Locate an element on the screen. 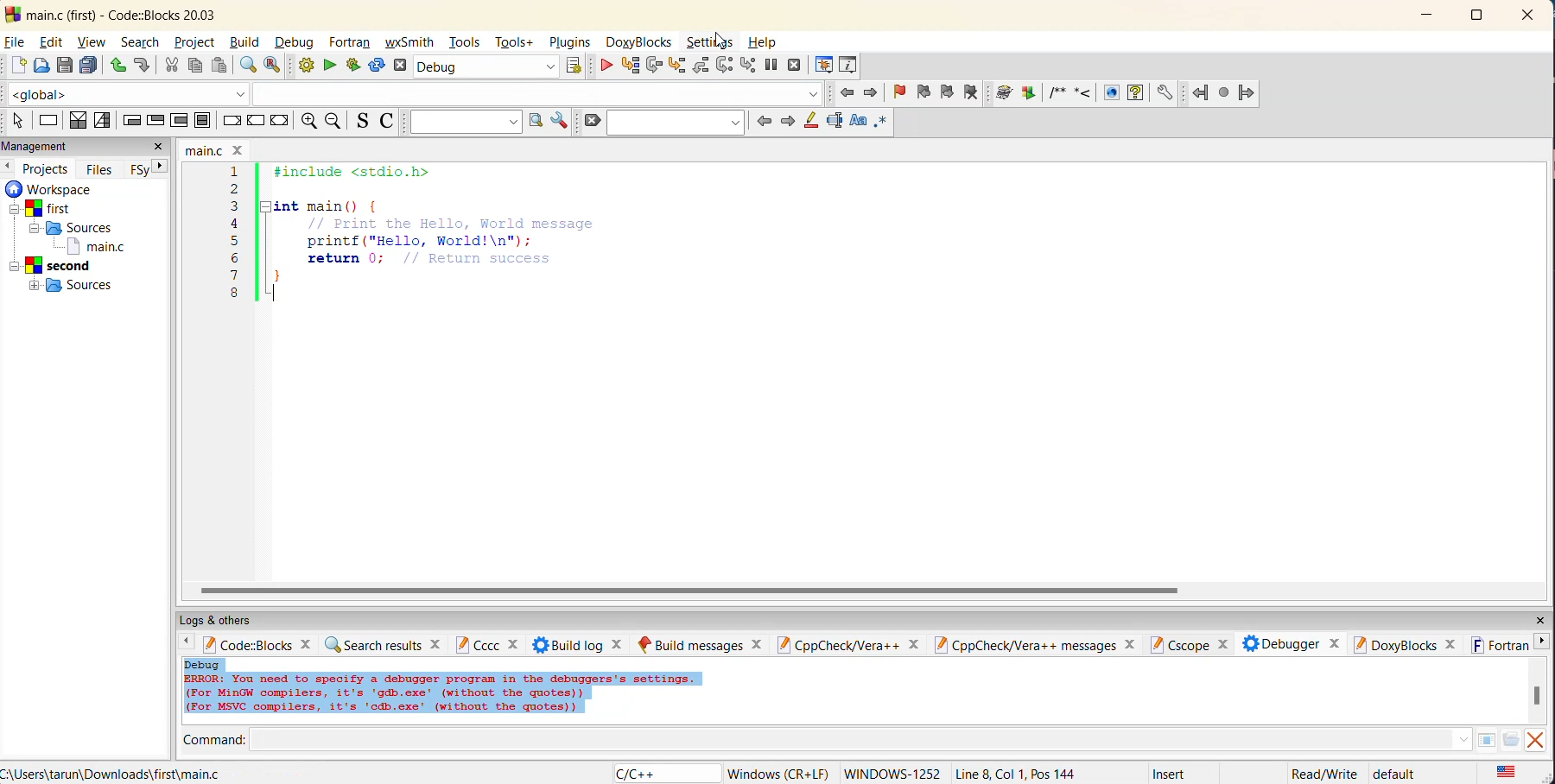  build is located at coordinates (246, 44).